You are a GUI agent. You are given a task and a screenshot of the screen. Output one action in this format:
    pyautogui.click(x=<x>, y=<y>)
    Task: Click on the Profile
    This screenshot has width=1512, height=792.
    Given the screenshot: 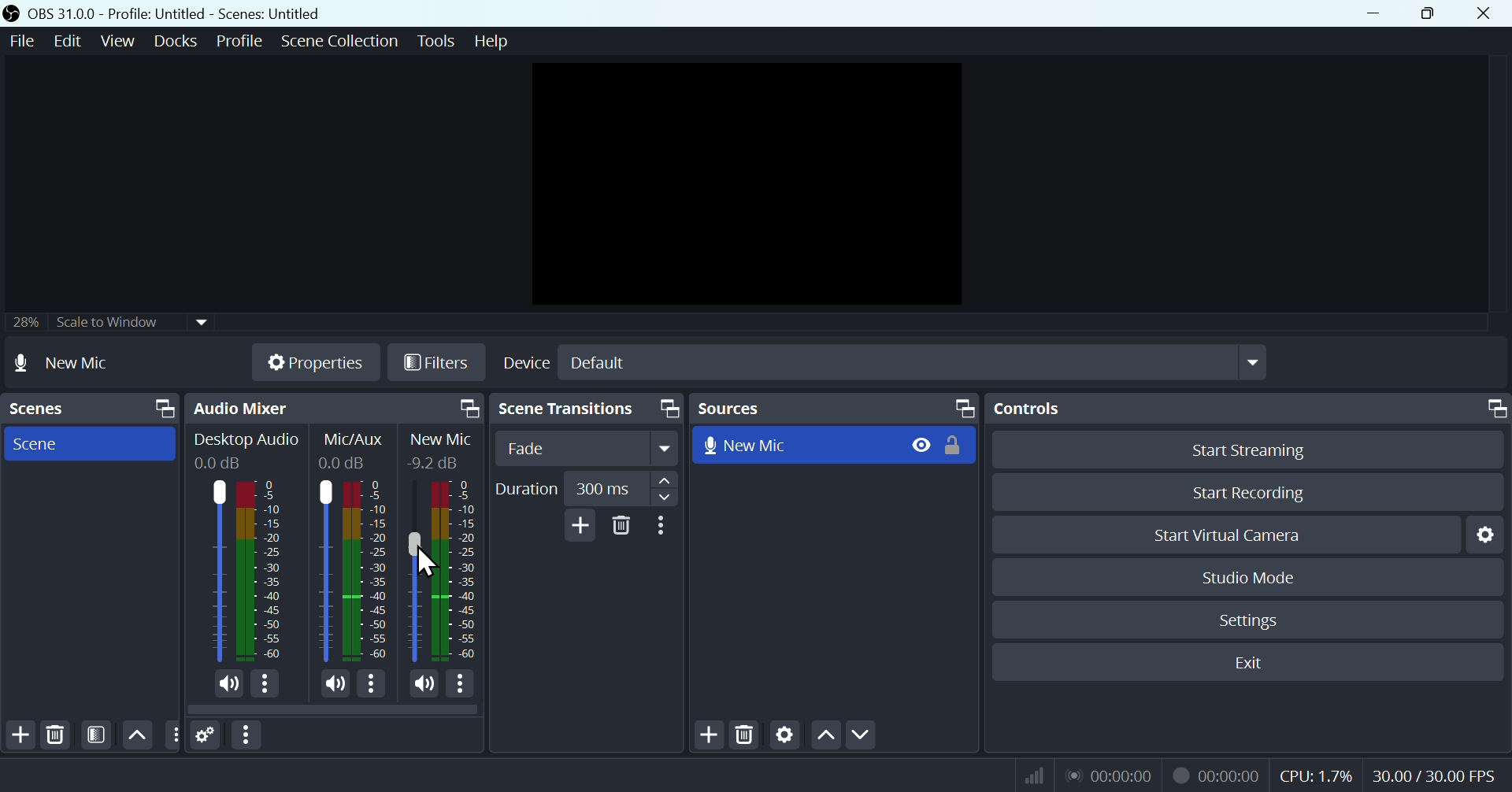 What is the action you would take?
    pyautogui.click(x=239, y=41)
    